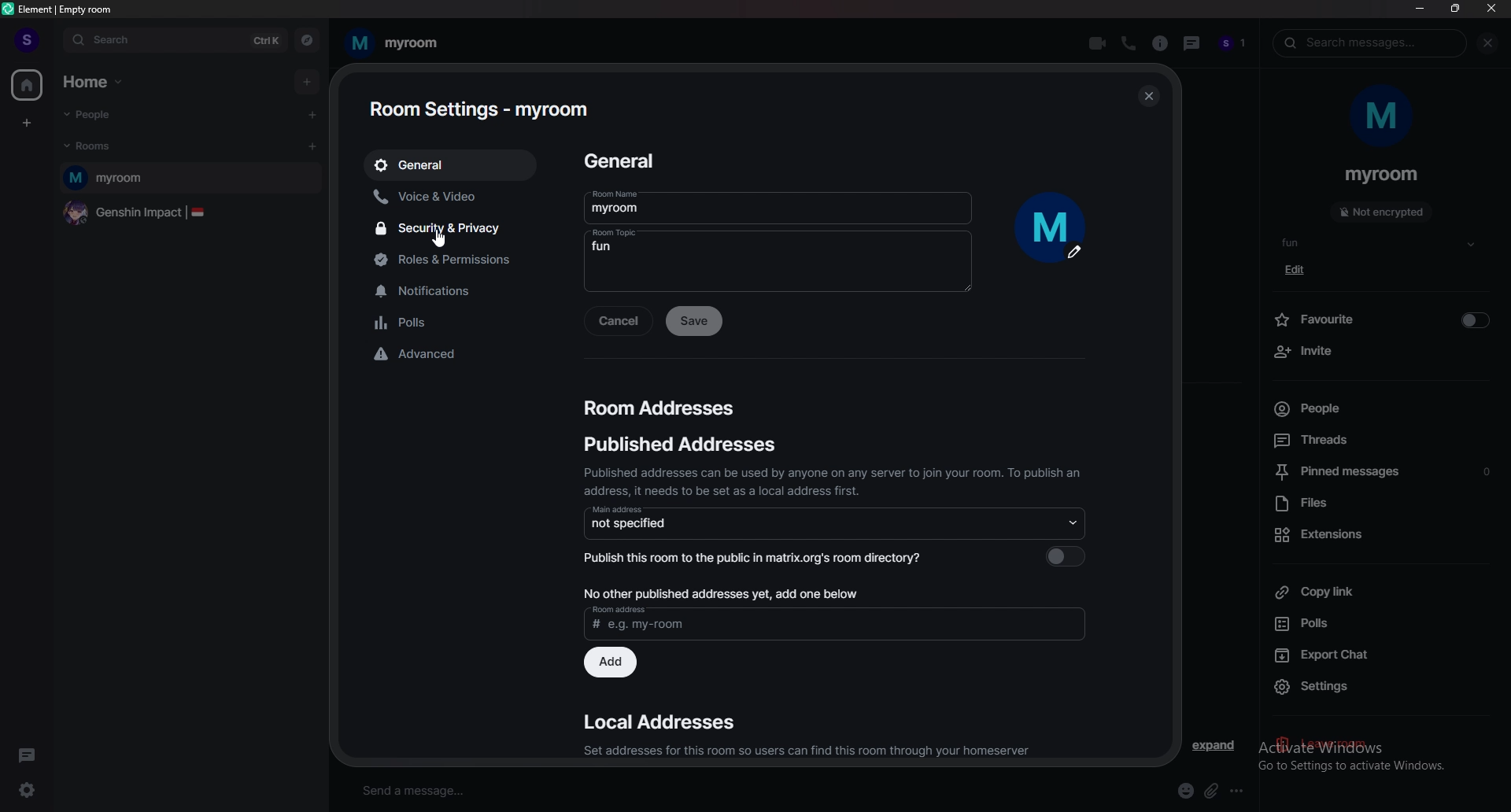 The width and height of the screenshot is (1511, 812). Describe the element at coordinates (1491, 43) in the screenshot. I see `close` at that location.